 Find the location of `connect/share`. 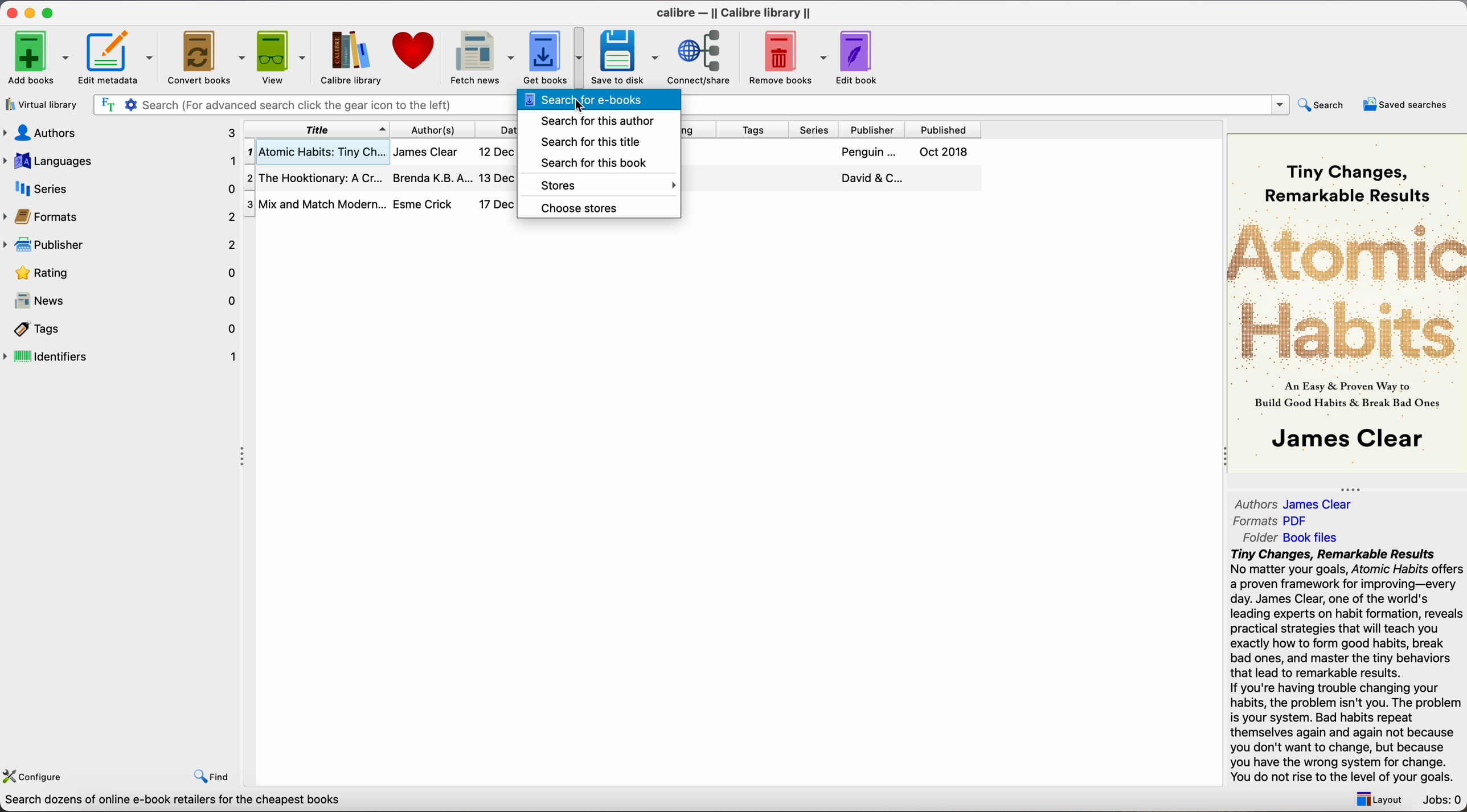

connect/share is located at coordinates (703, 56).